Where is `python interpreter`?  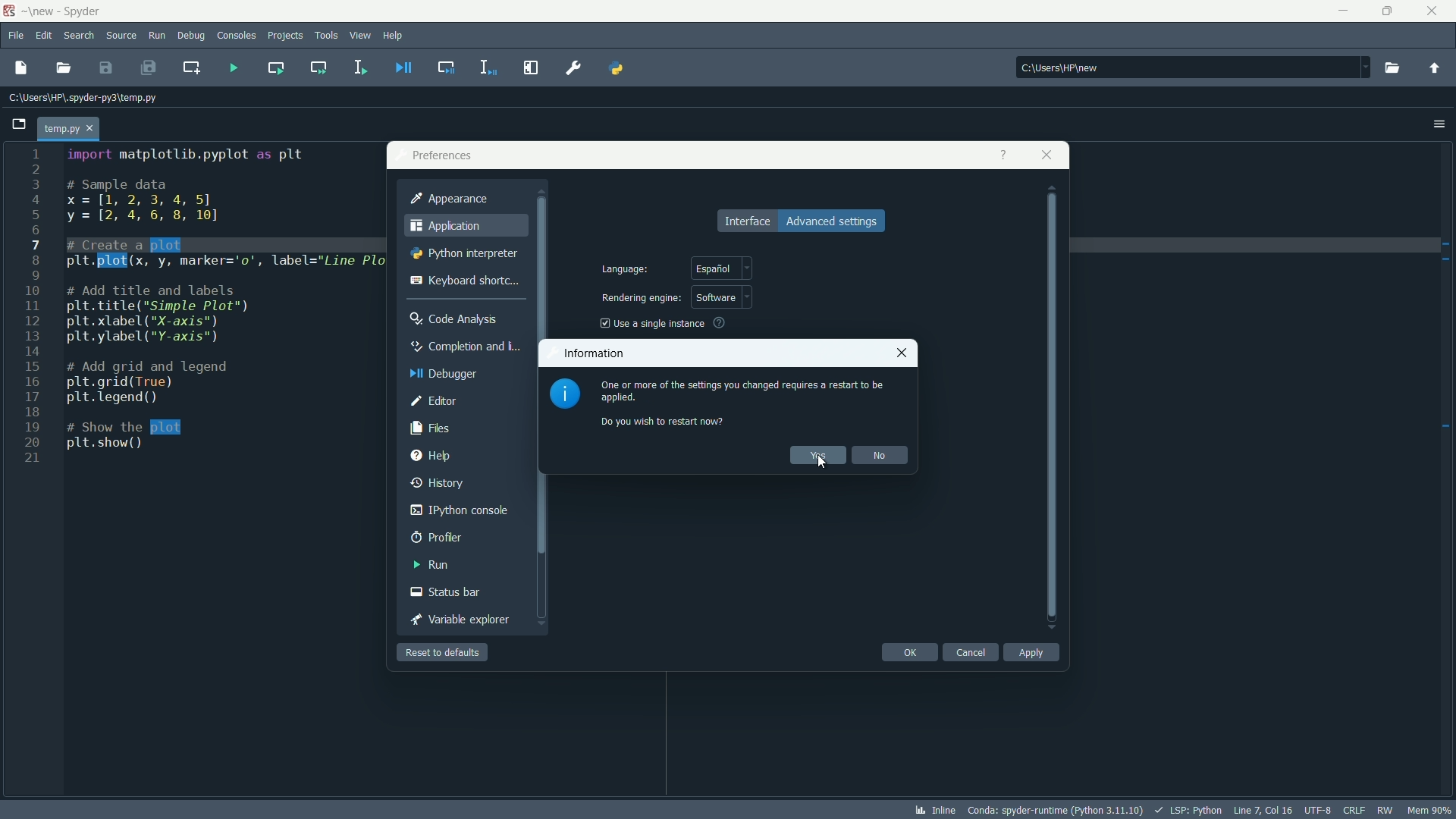 python interpreter is located at coordinates (462, 253).